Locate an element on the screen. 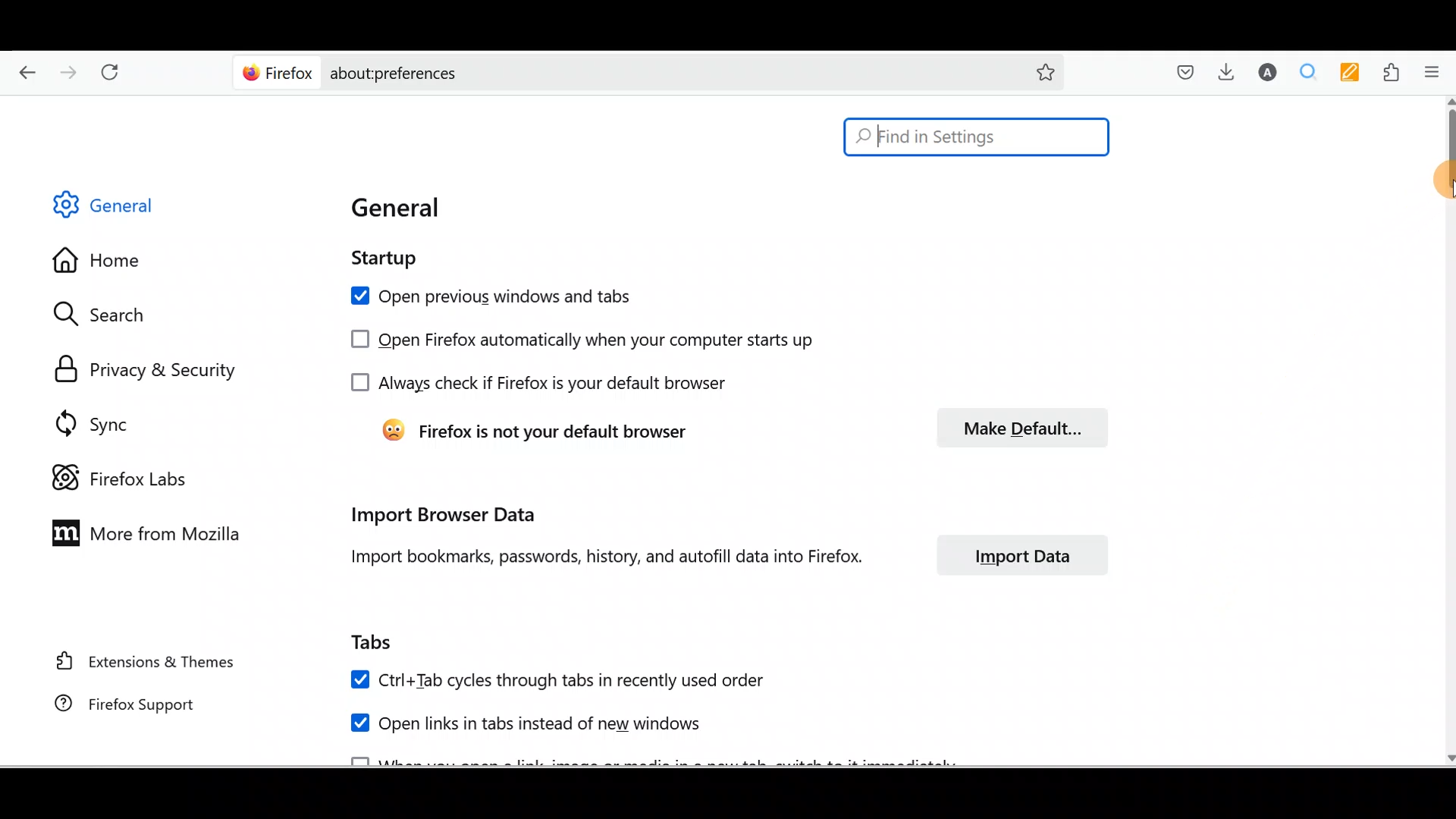 The width and height of the screenshot is (1456, 819). Firefox labs is located at coordinates (124, 479).